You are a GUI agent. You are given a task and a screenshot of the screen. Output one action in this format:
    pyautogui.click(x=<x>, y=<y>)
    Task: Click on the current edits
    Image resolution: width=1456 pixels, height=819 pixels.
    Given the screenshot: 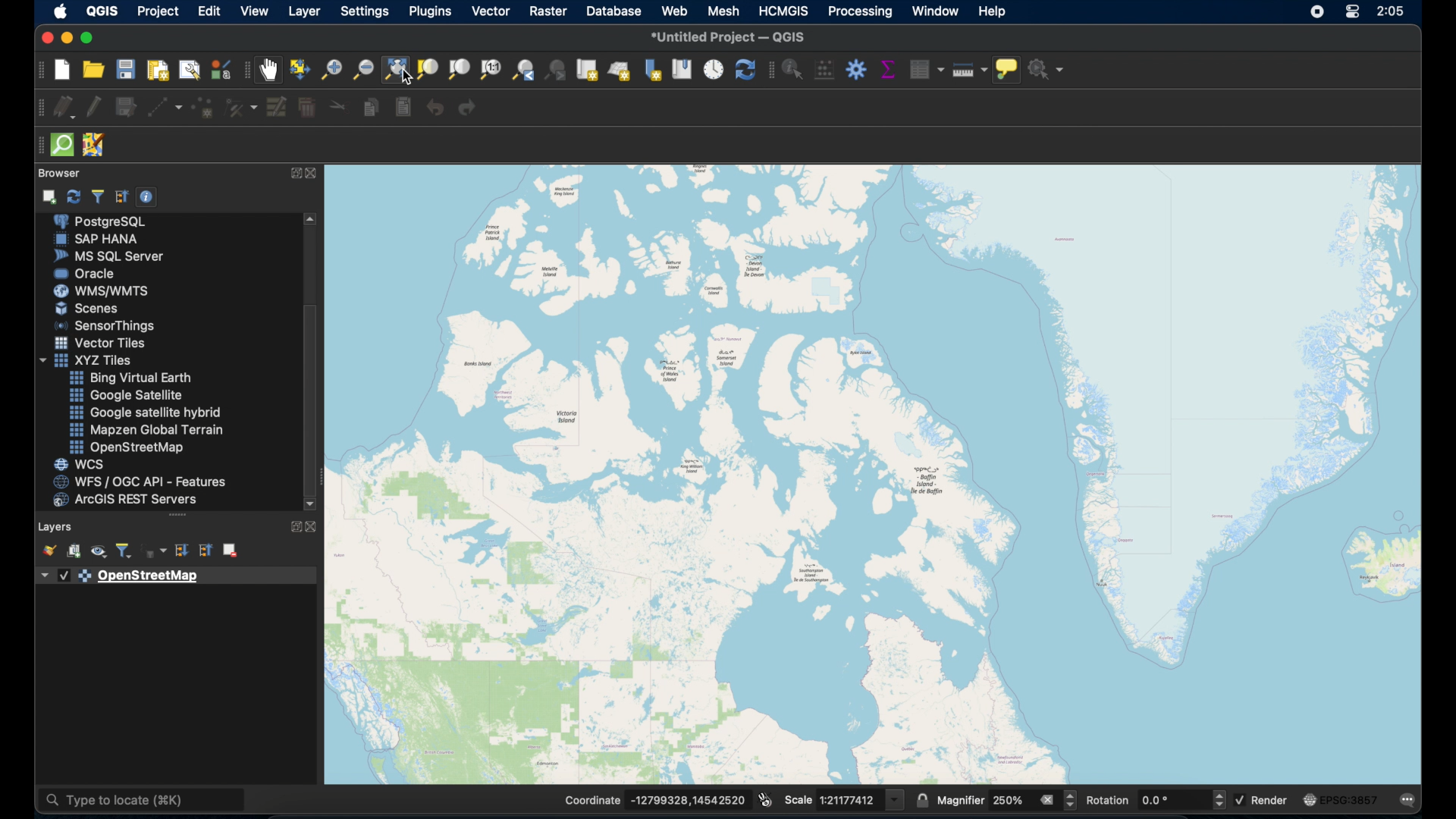 What is the action you would take?
    pyautogui.click(x=62, y=108)
    